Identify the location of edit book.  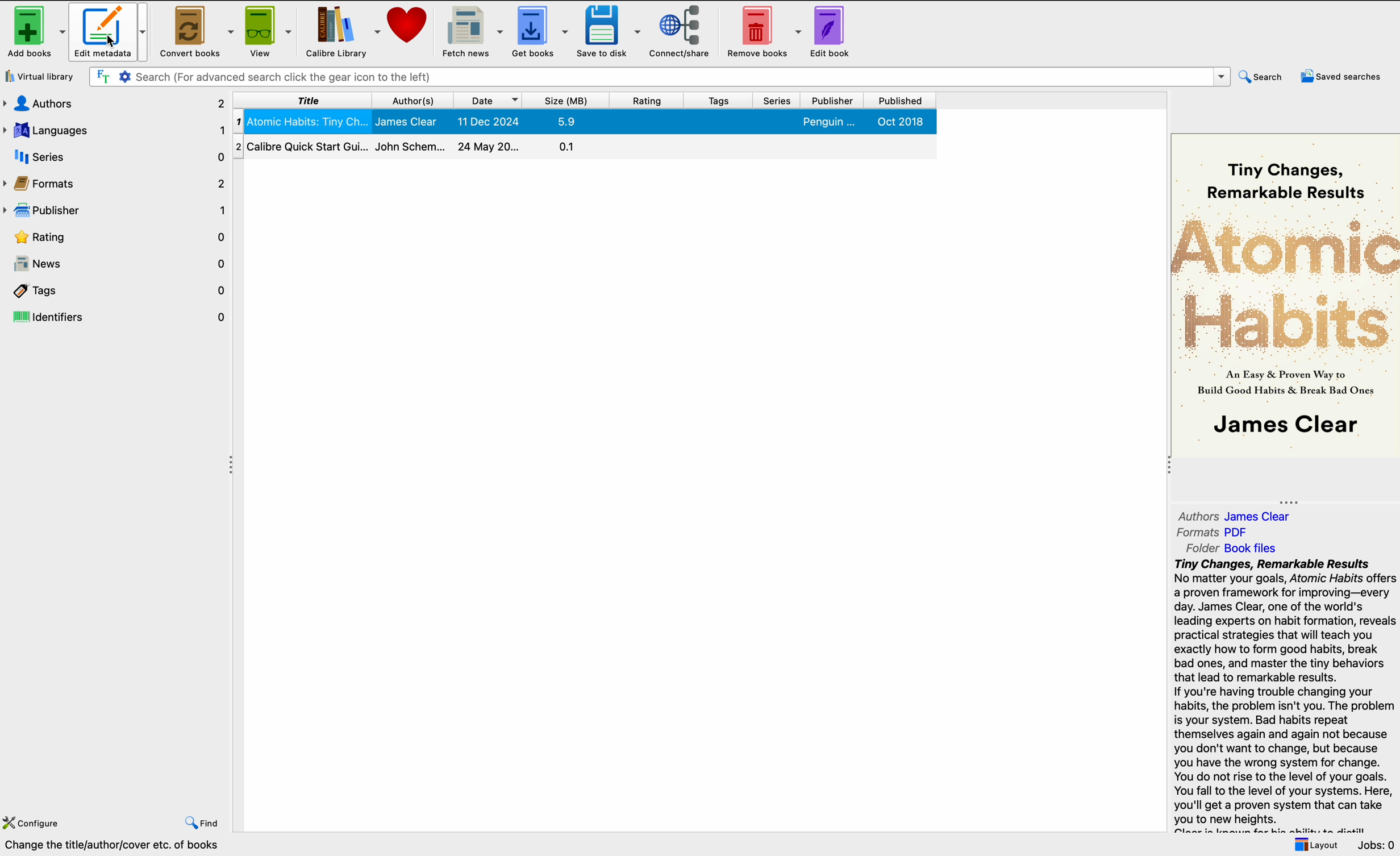
(830, 32).